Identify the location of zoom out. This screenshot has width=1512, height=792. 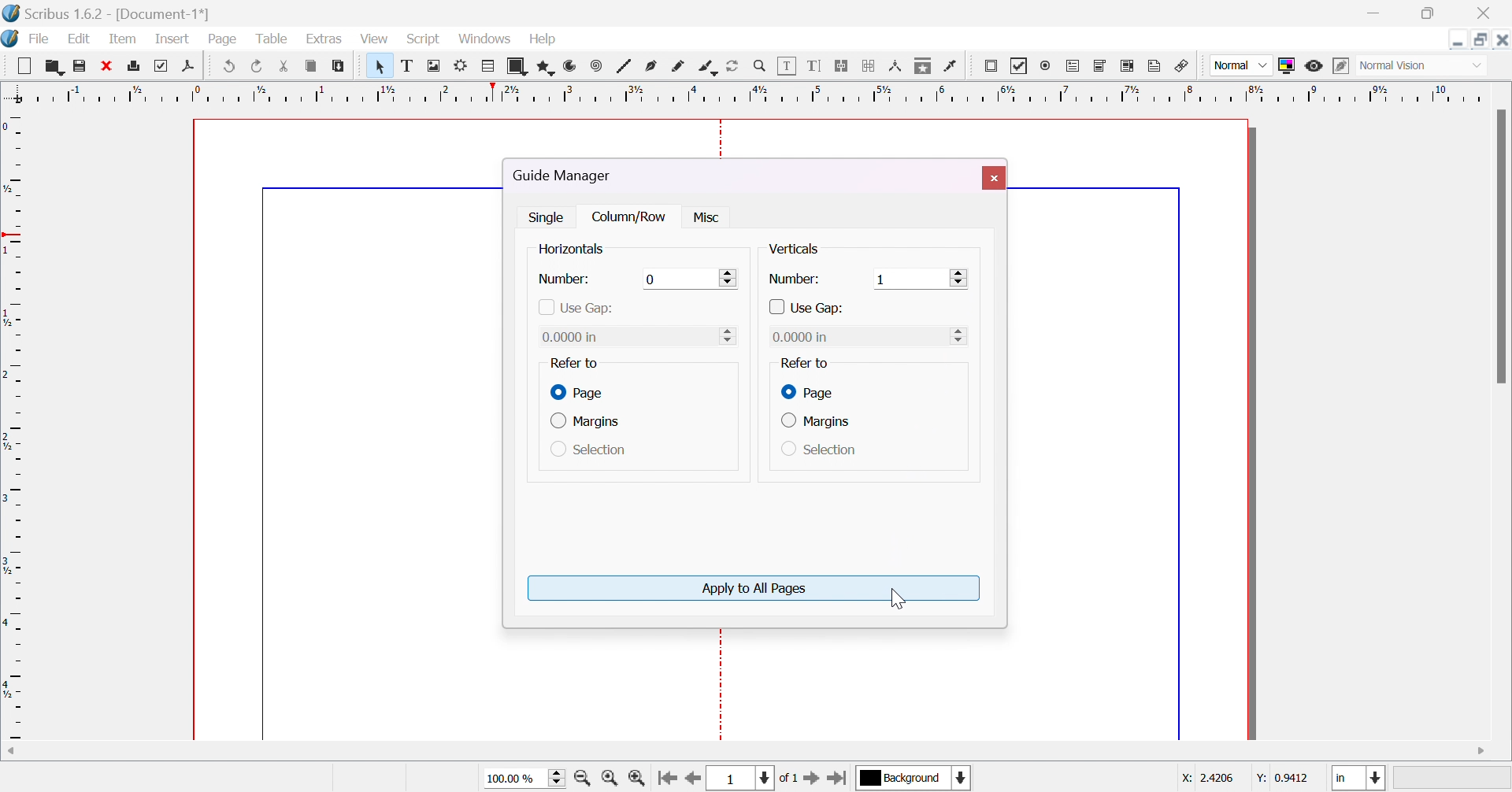
(585, 777).